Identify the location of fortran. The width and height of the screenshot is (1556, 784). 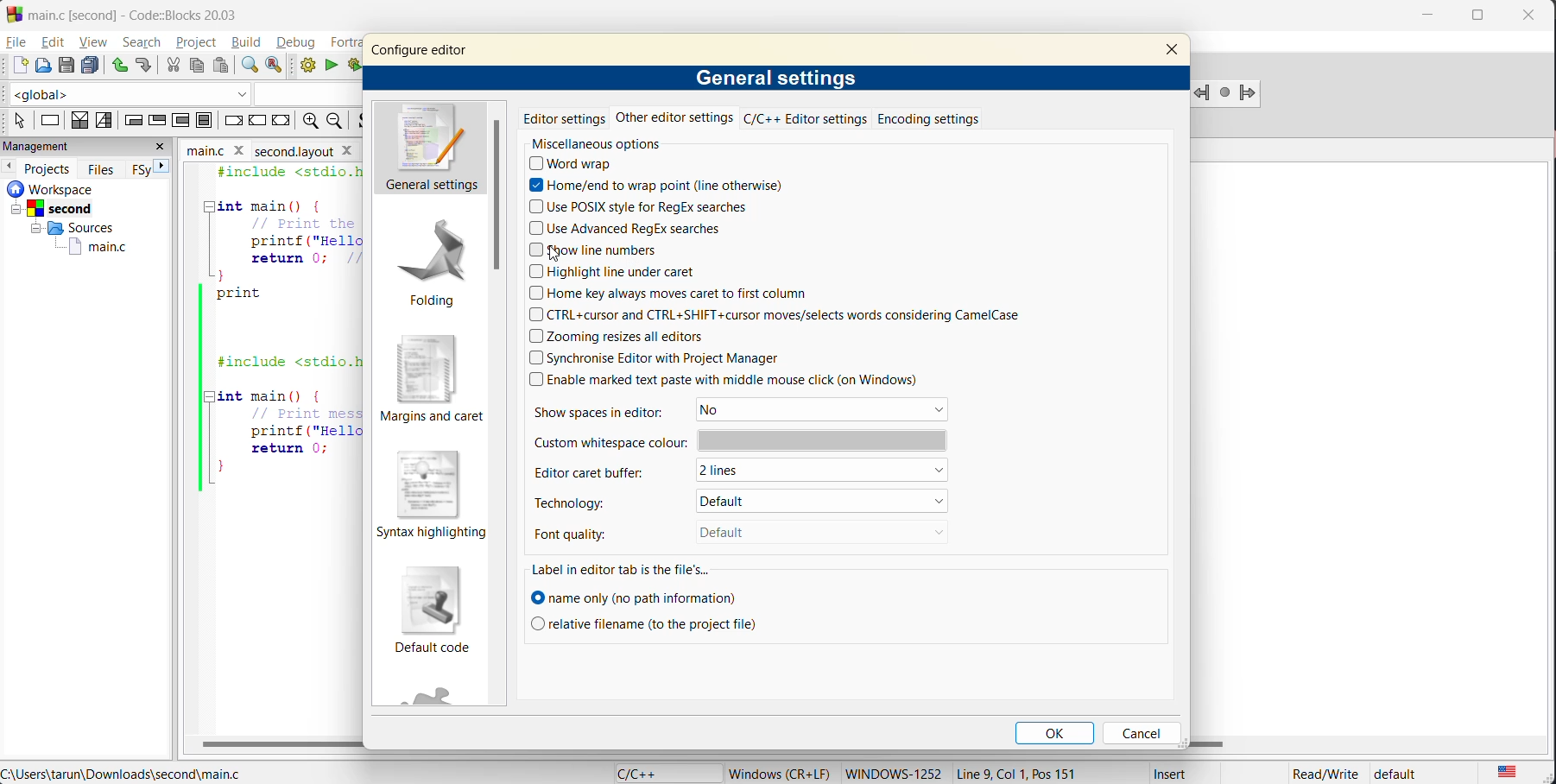
(345, 42).